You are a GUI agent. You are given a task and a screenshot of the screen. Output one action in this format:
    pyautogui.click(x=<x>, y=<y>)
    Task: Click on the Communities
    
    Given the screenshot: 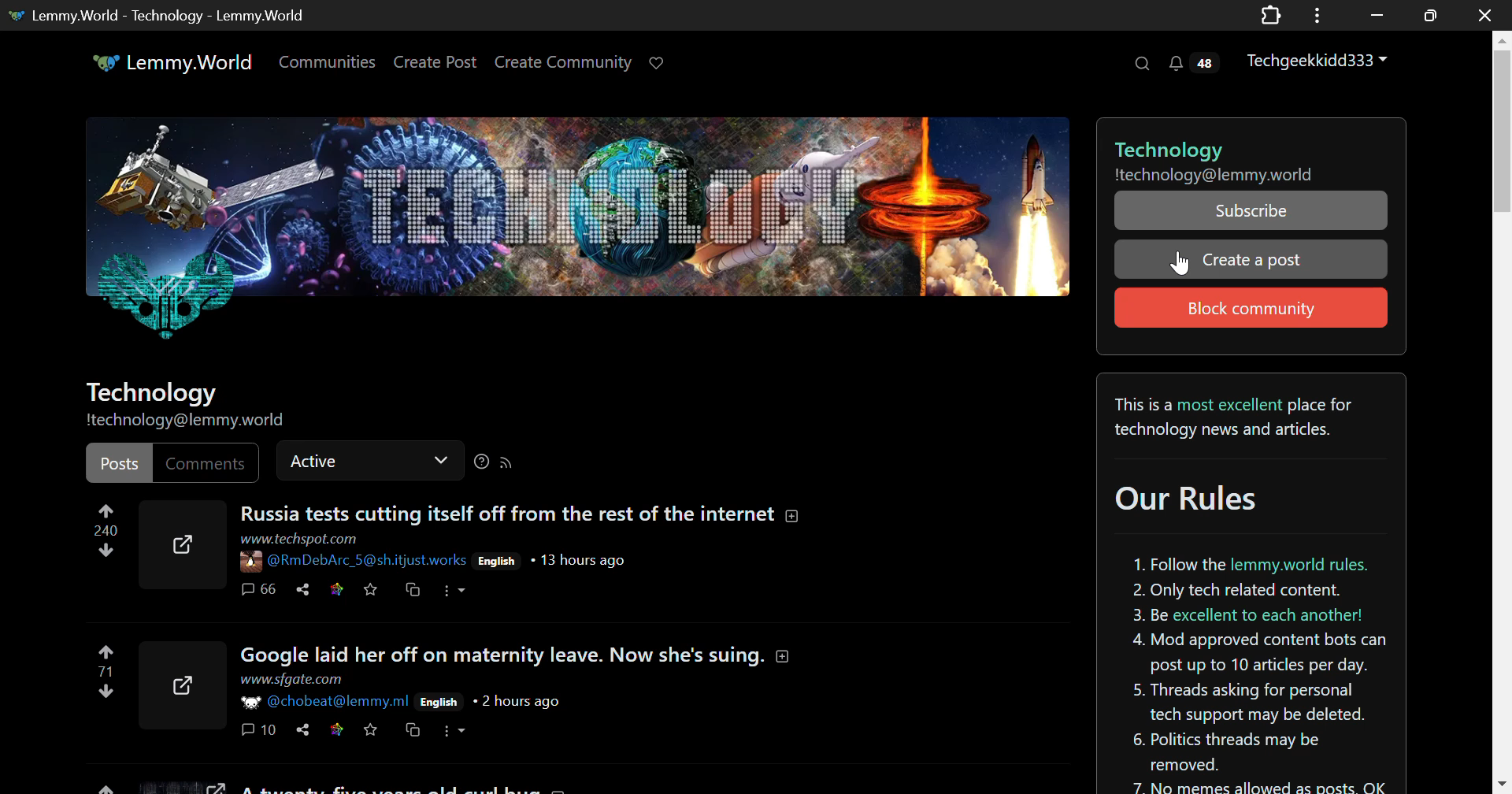 What is the action you would take?
    pyautogui.click(x=329, y=63)
    